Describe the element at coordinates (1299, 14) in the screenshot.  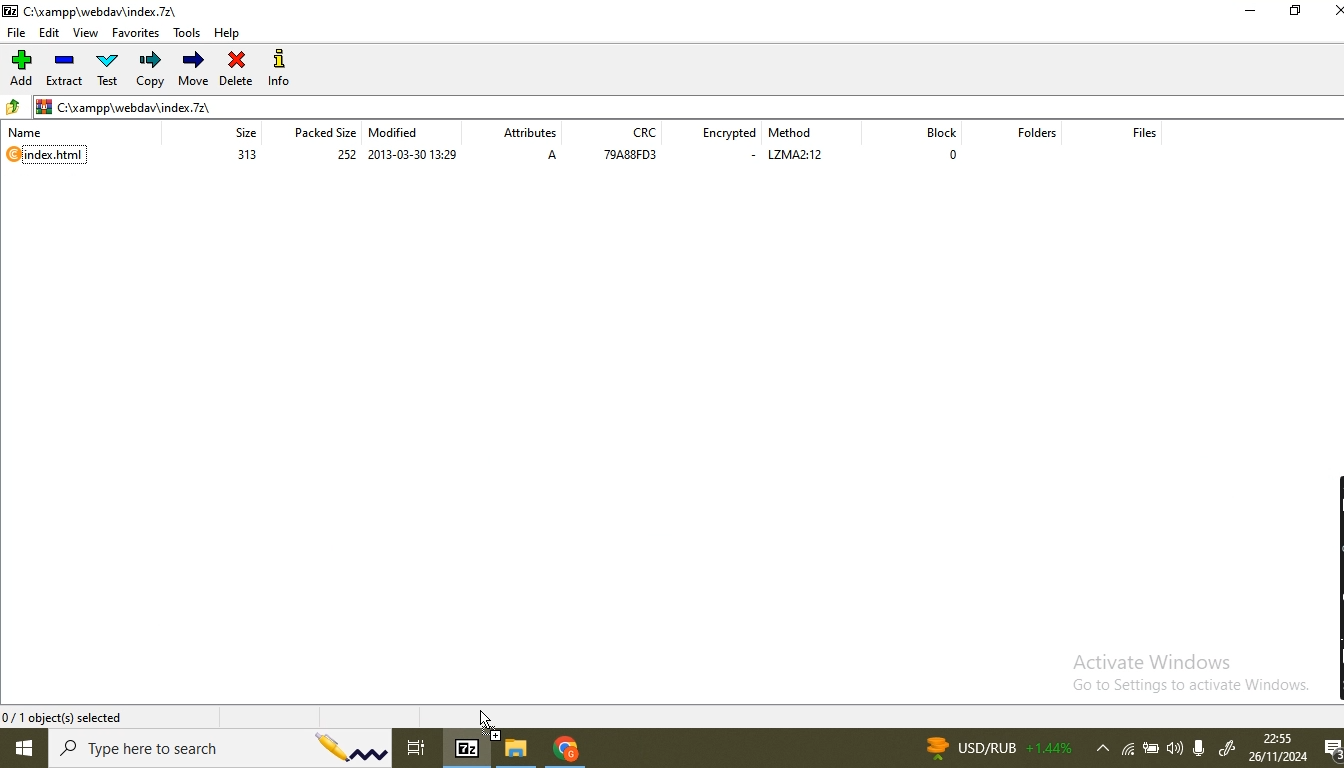
I see `restore` at that location.